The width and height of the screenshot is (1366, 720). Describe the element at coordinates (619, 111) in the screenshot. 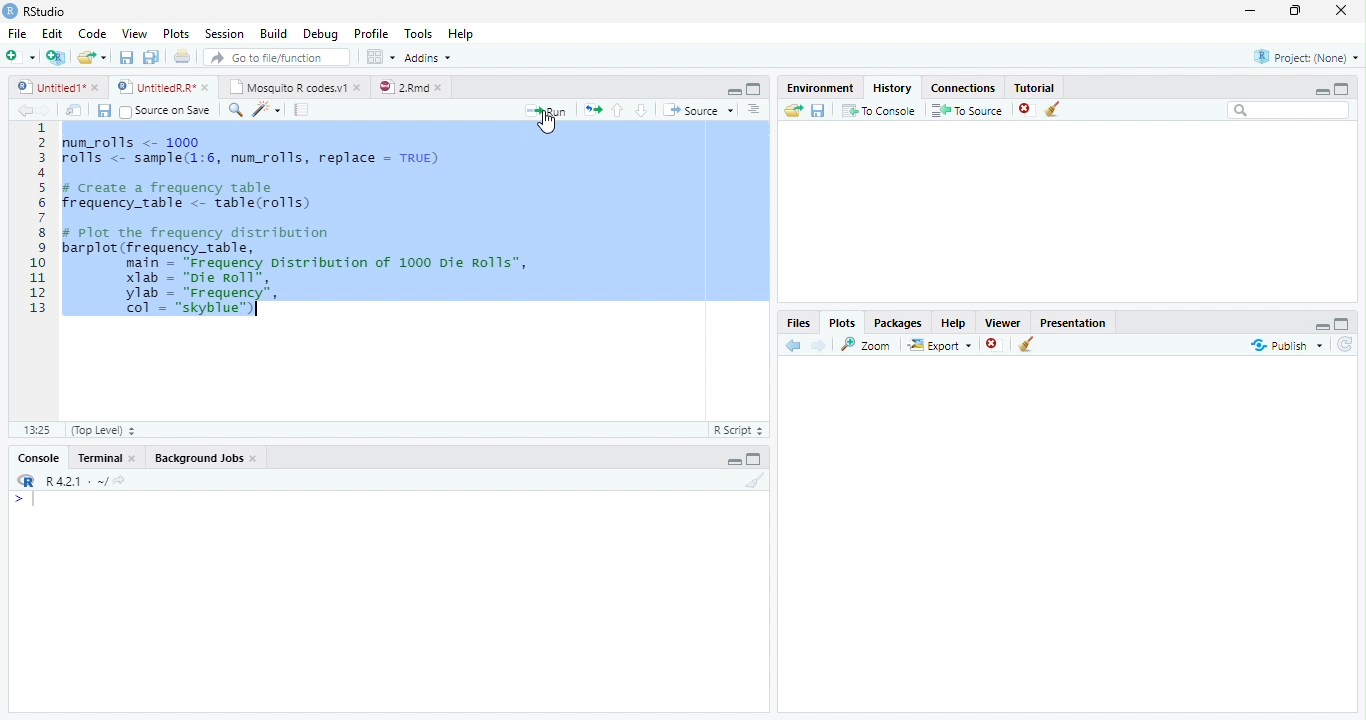

I see `Go to previous section of code` at that location.